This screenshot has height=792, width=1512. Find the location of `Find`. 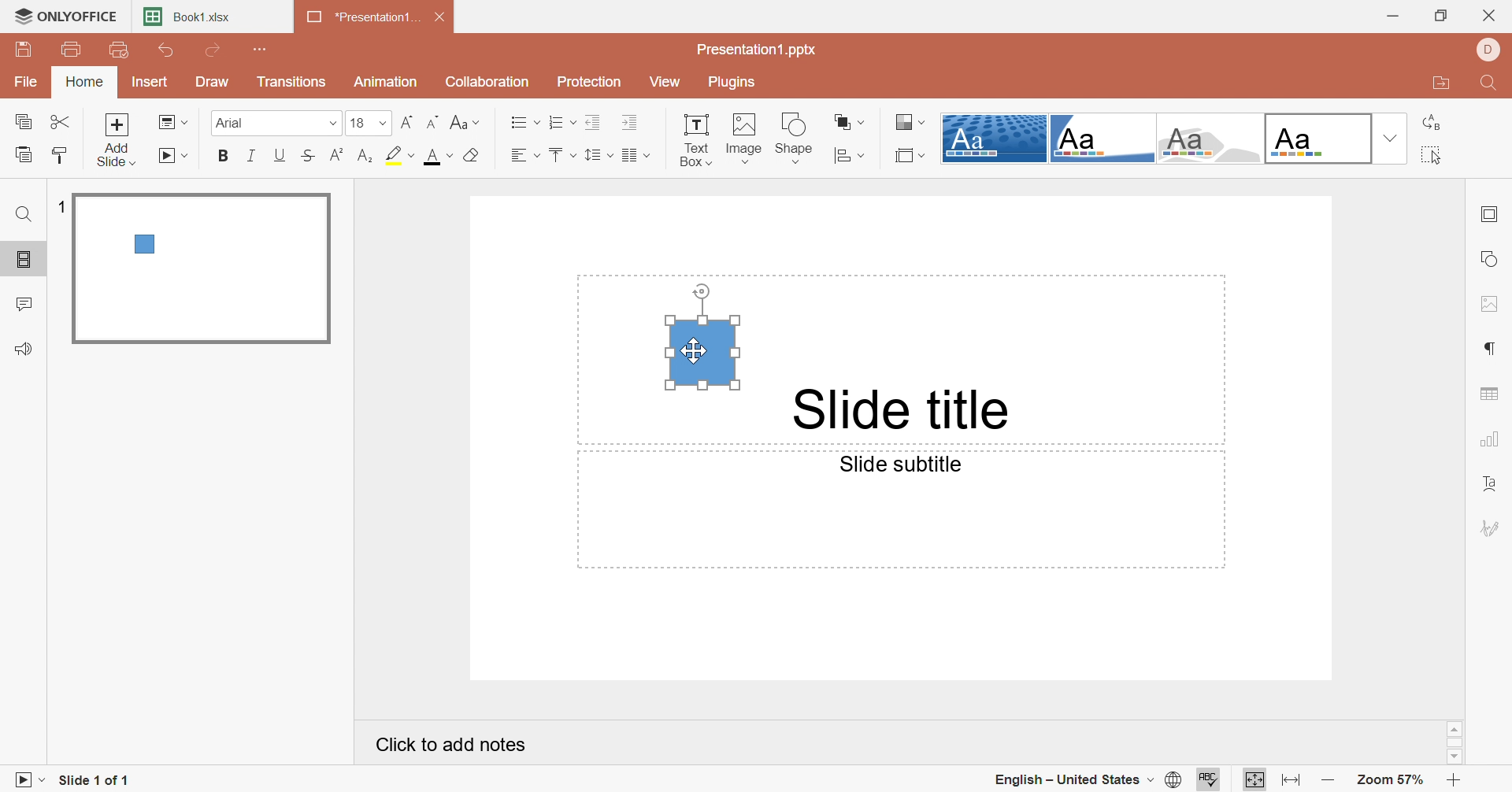

Find is located at coordinates (24, 214).